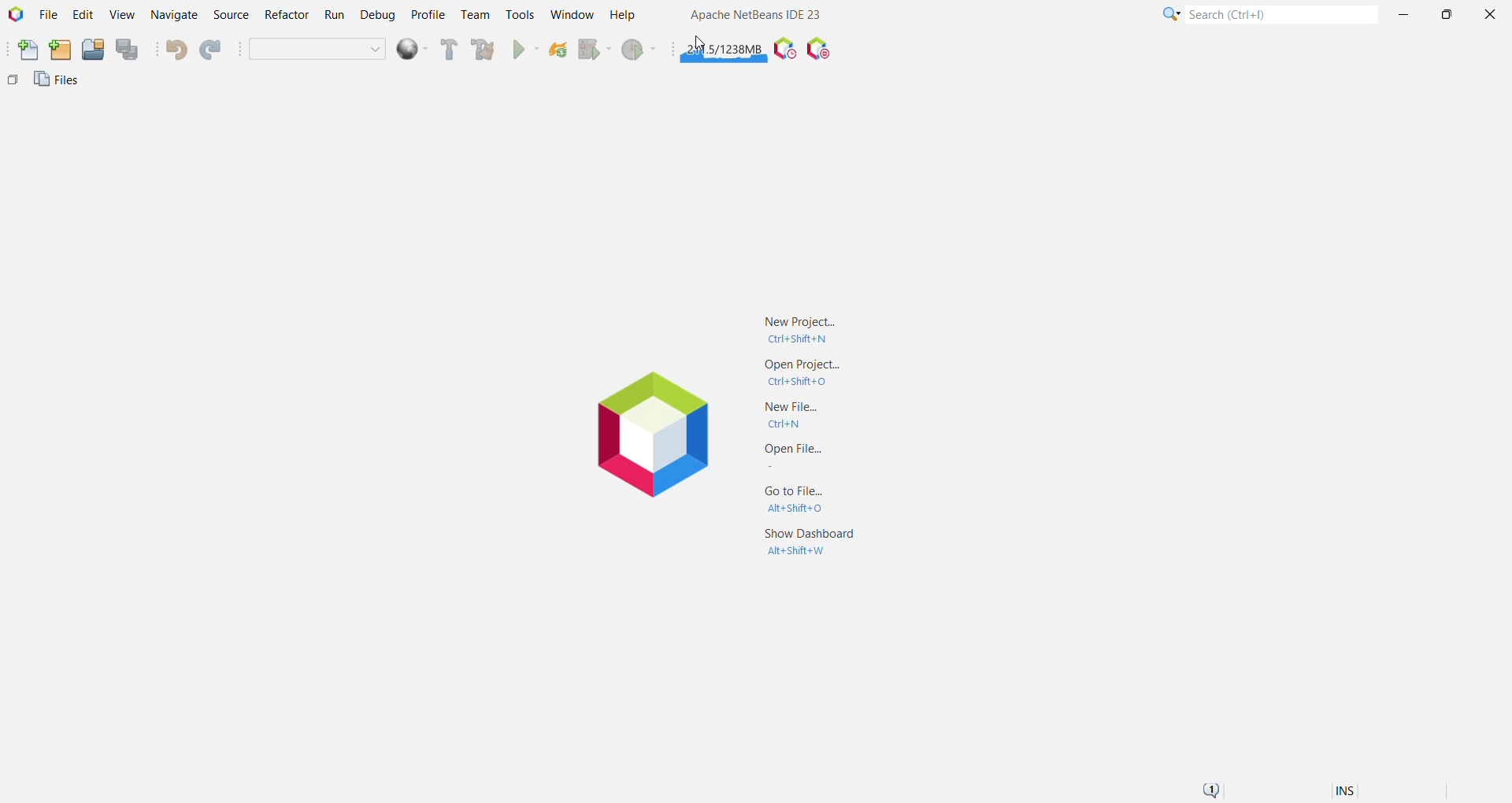 This screenshot has width=1512, height=803. What do you see at coordinates (376, 16) in the screenshot?
I see `Debug ` at bounding box center [376, 16].